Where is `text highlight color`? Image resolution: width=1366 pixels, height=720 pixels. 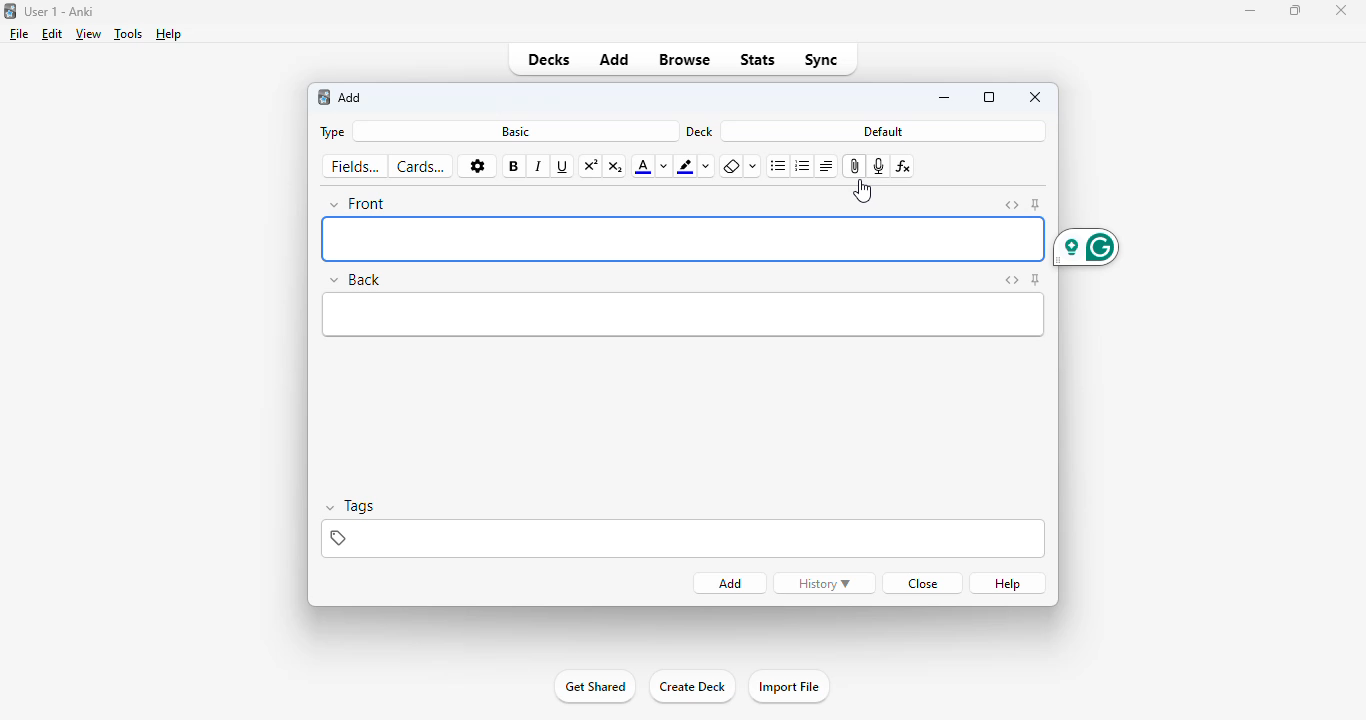 text highlight color is located at coordinates (685, 166).